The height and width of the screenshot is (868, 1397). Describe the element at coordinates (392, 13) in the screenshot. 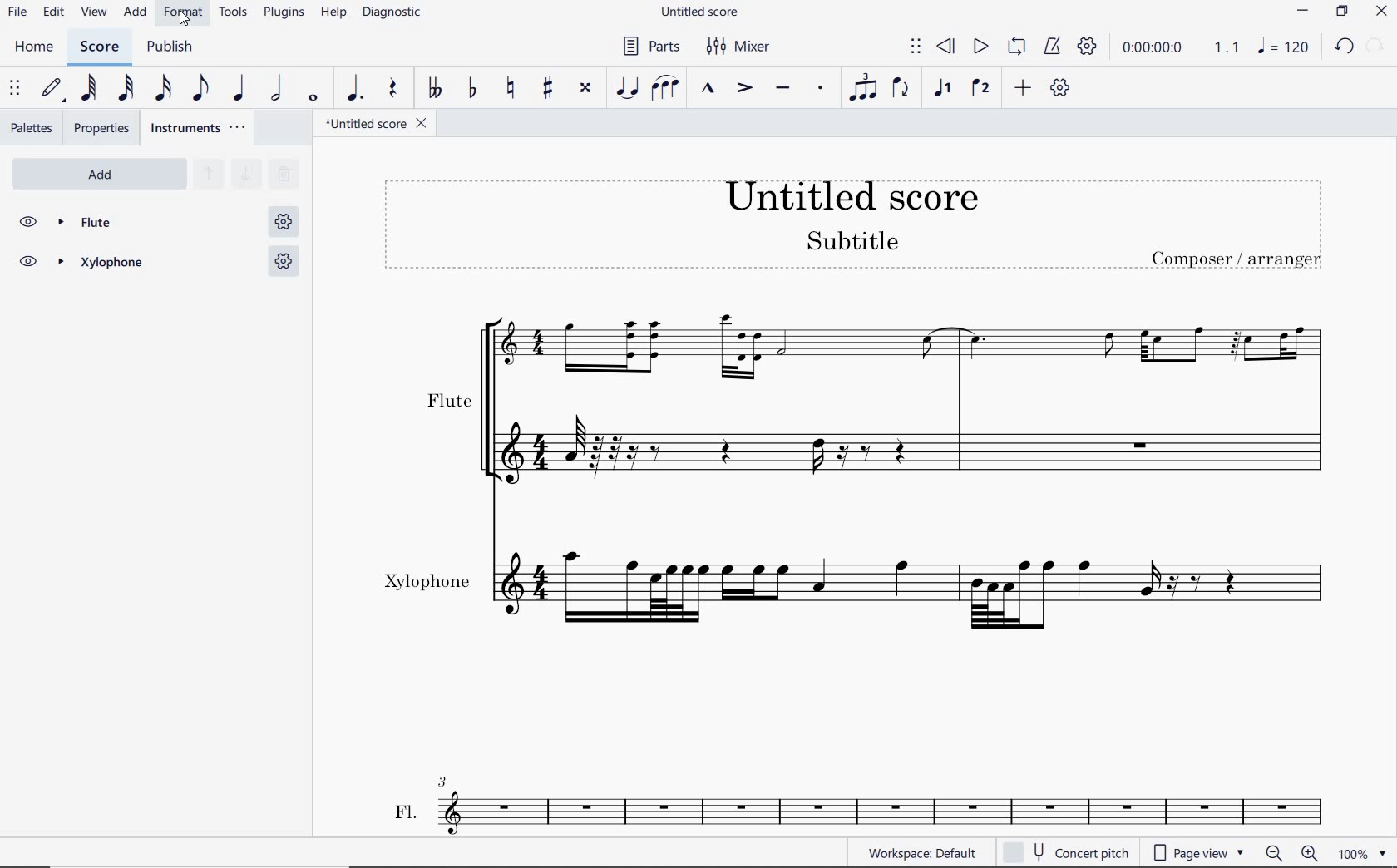

I see `DIAGNOSTIC` at that location.